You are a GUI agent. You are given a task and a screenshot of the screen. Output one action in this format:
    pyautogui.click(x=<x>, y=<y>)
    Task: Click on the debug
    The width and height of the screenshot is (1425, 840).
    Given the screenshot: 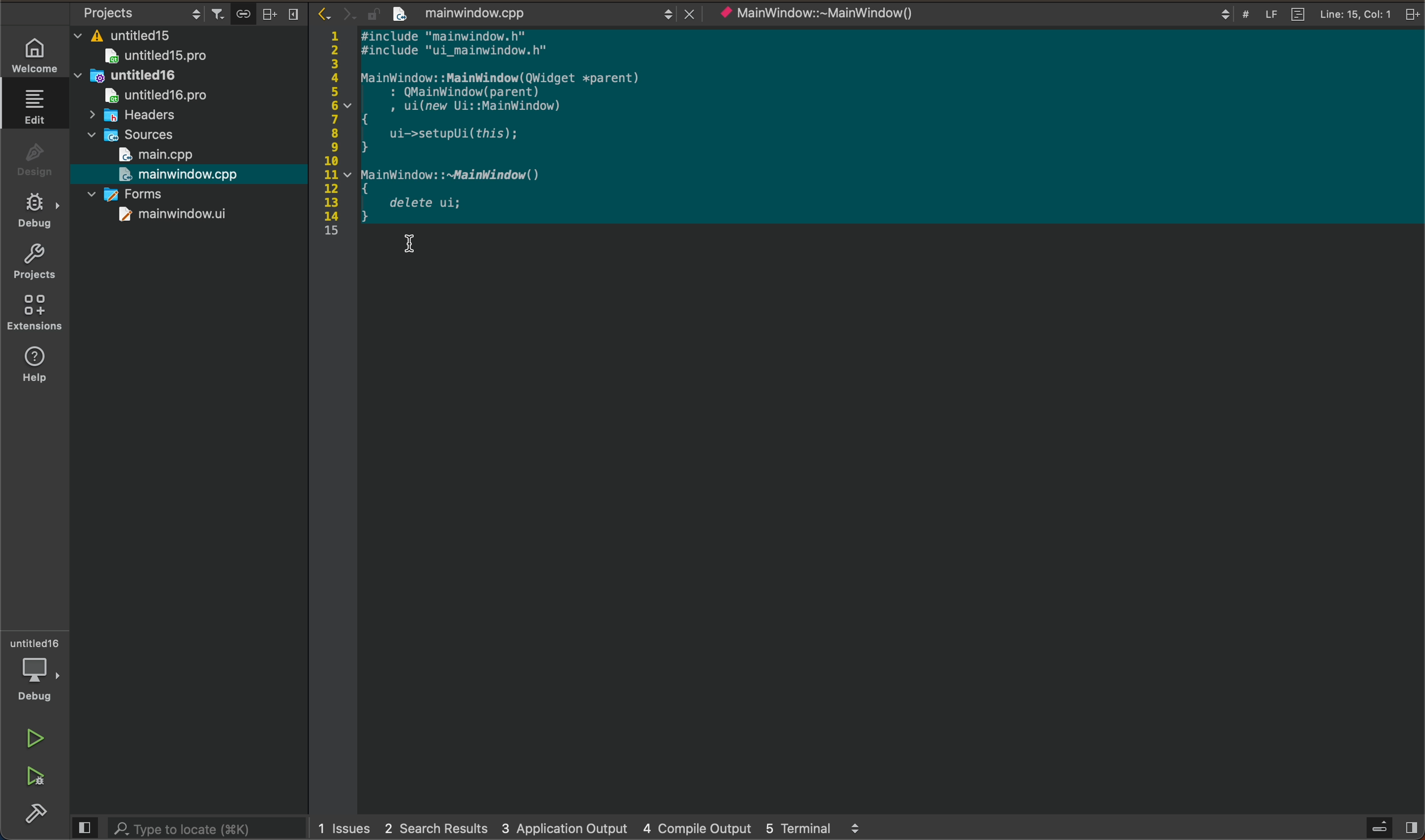 What is the action you would take?
    pyautogui.click(x=32, y=209)
    